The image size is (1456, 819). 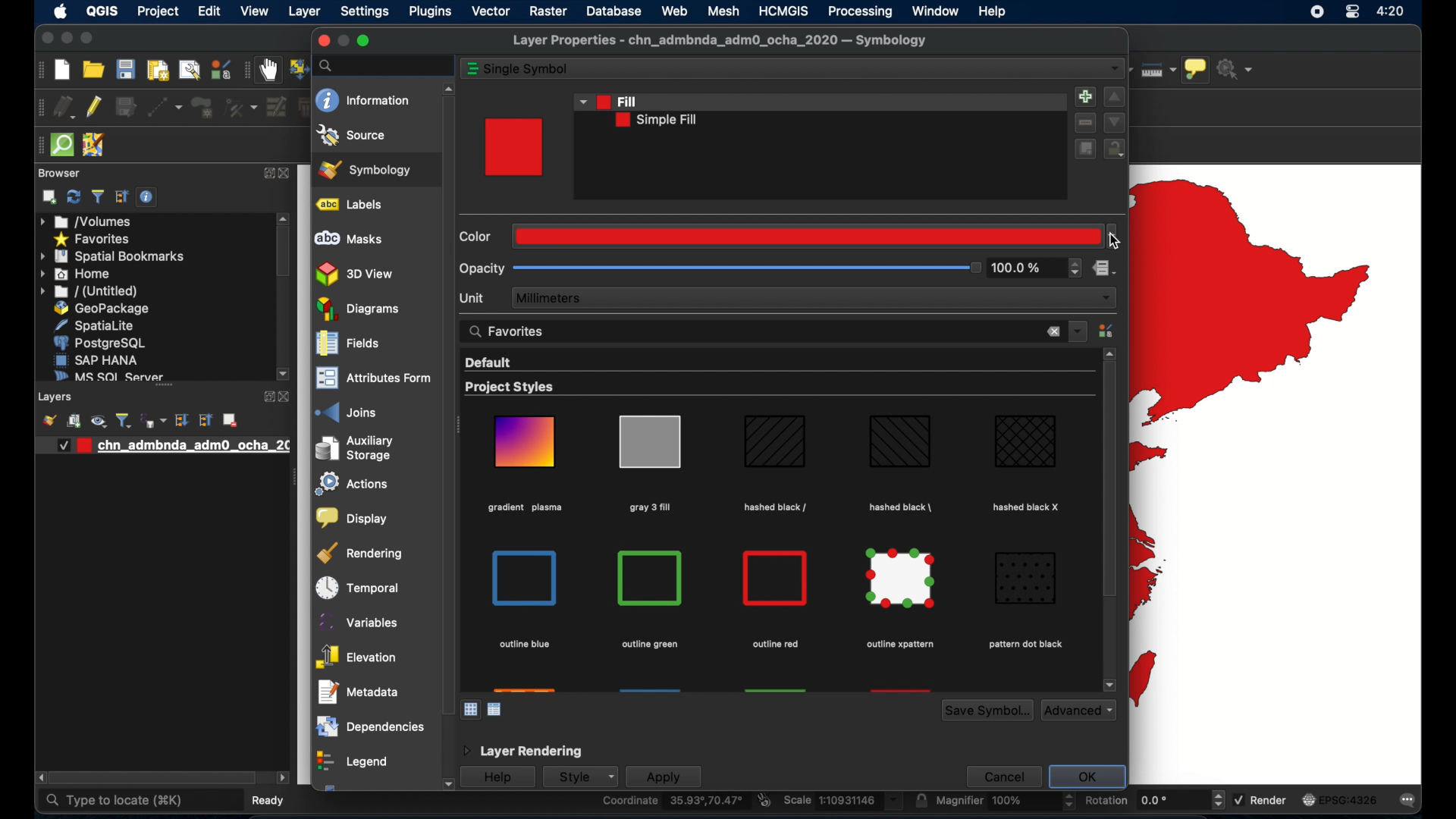 What do you see at coordinates (1078, 330) in the screenshot?
I see `favorites dropdown` at bounding box center [1078, 330].